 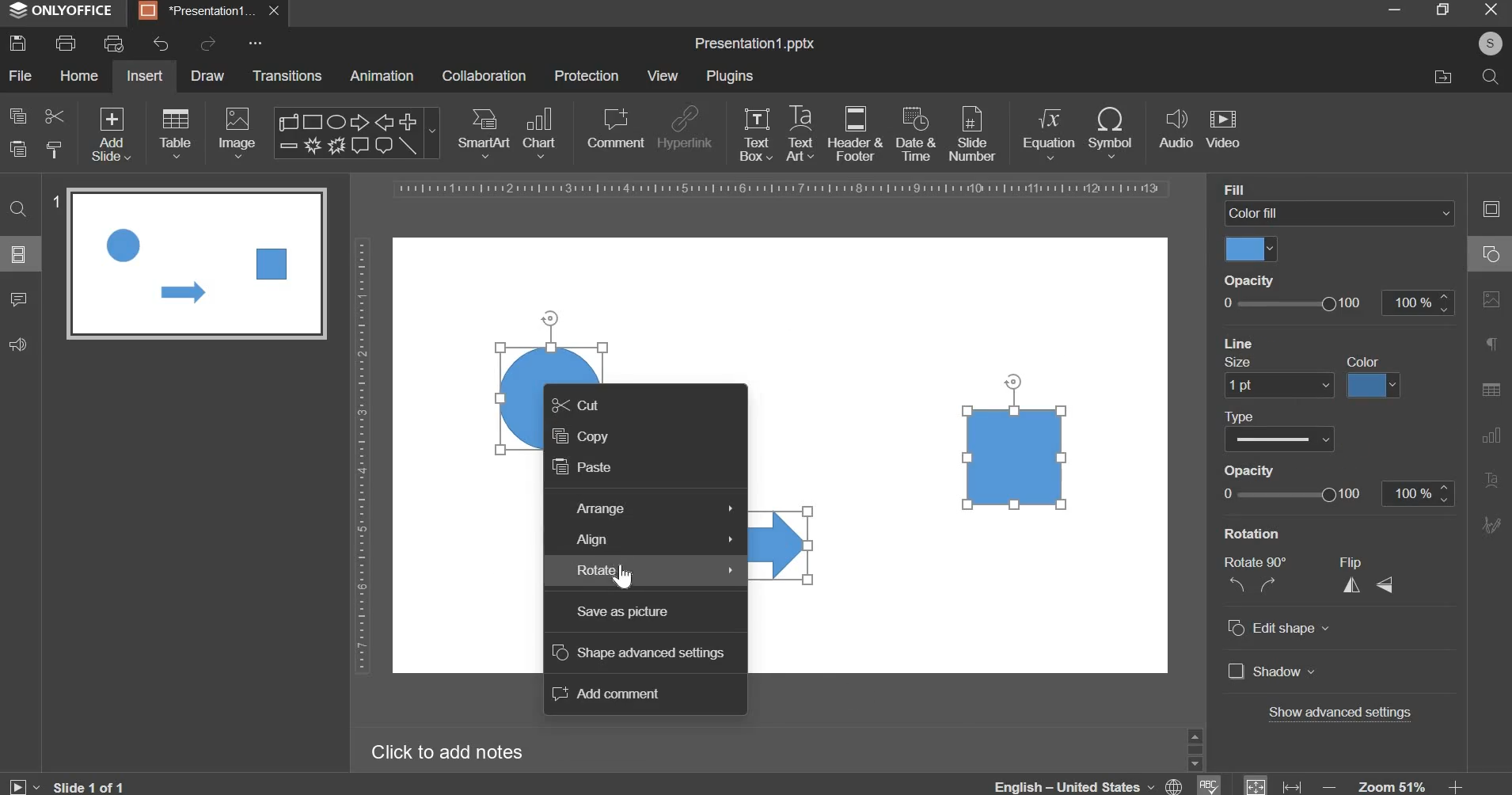 What do you see at coordinates (1278, 629) in the screenshot?
I see `edit shape` at bounding box center [1278, 629].